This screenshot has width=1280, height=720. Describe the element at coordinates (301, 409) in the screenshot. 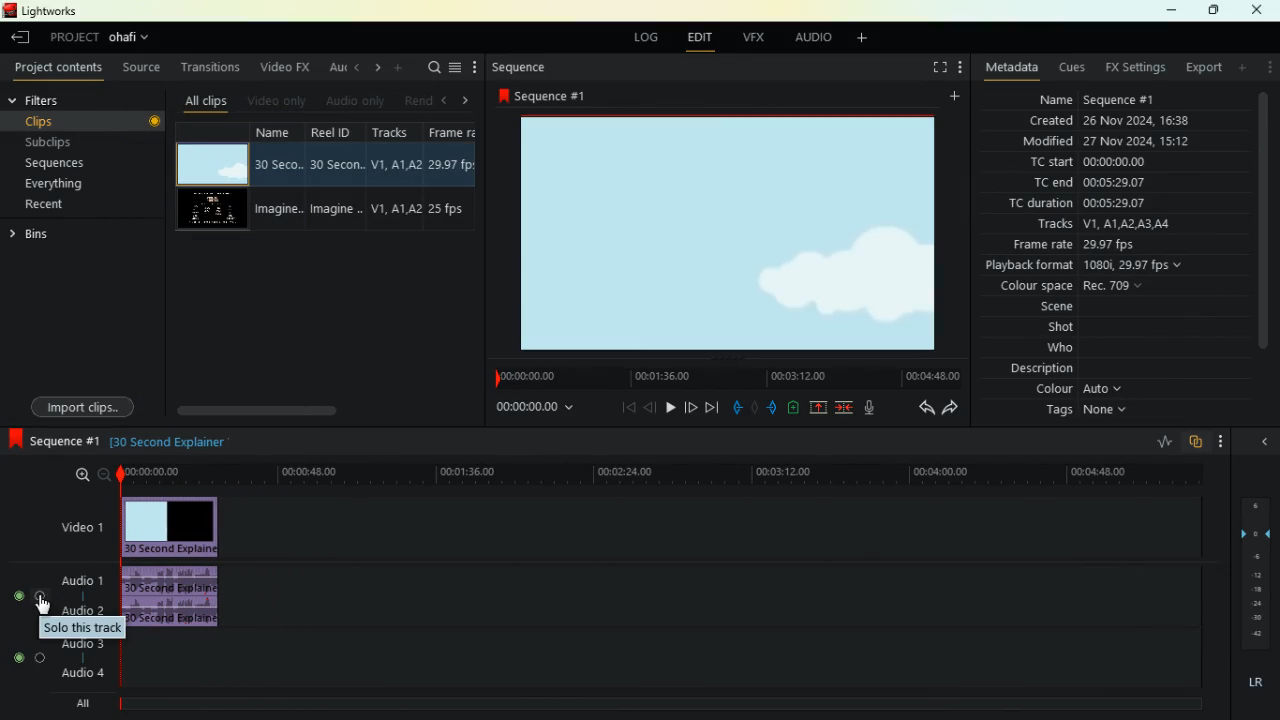

I see `scroll bar` at that location.